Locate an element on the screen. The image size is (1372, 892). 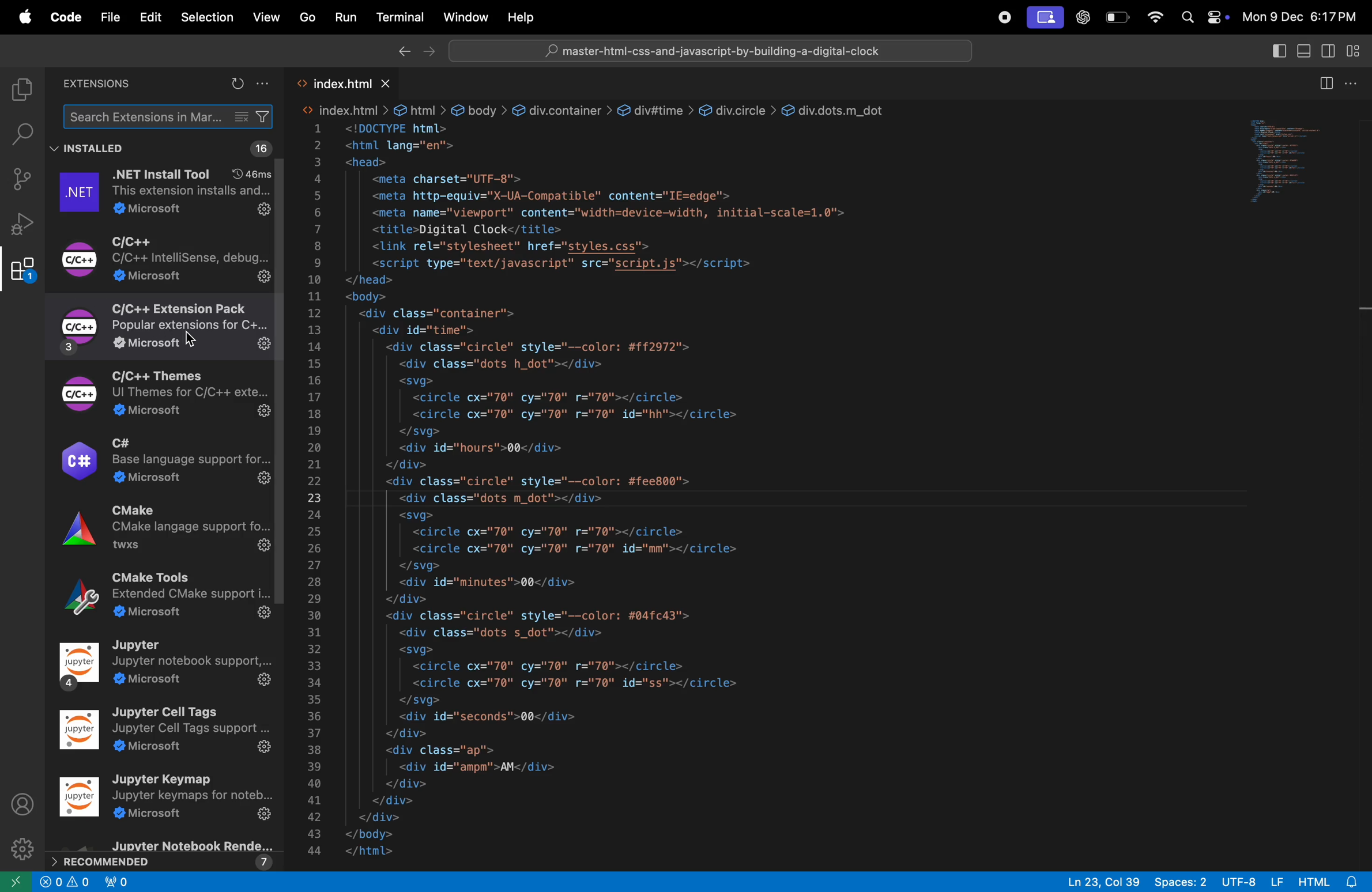
code block is located at coordinates (621, 482).